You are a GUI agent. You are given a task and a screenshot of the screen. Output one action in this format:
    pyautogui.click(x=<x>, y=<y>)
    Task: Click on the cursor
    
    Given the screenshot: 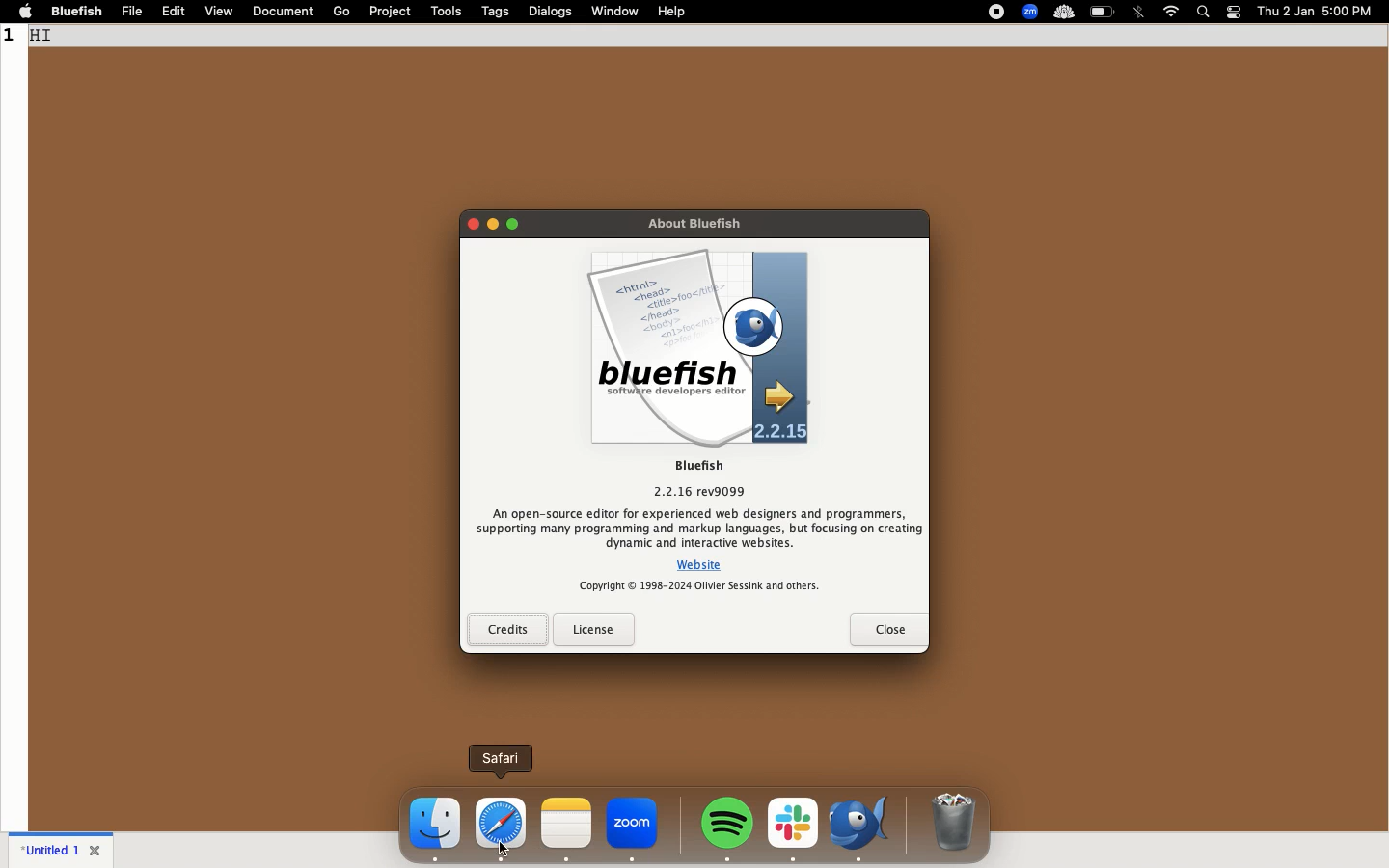 What is the action you would take?
    pyautogui.click(x=504, y=845)
    